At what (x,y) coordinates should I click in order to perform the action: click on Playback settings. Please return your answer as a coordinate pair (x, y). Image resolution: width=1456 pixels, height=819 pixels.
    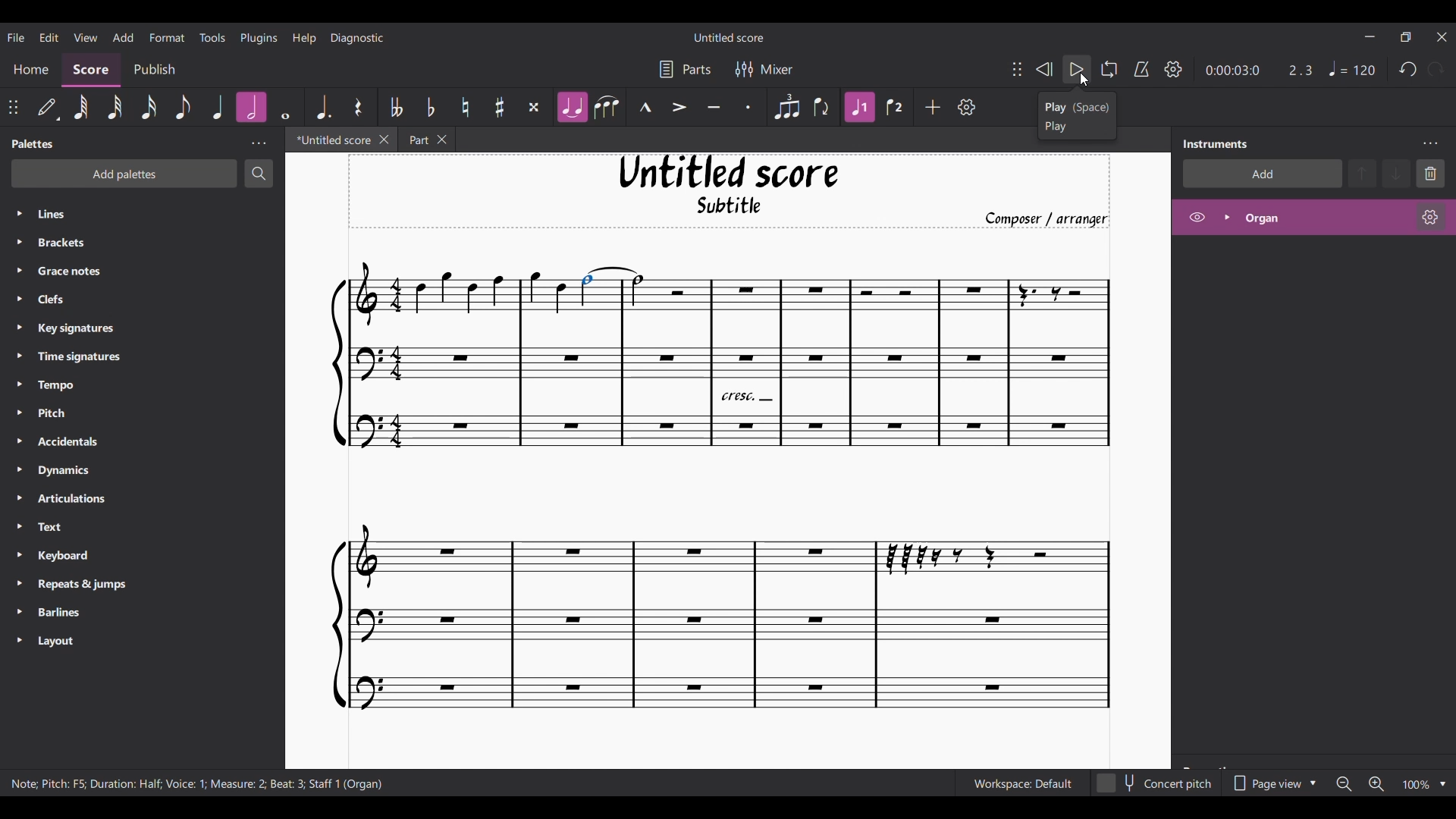
    Looking at the image, I should click on (1173, 69).